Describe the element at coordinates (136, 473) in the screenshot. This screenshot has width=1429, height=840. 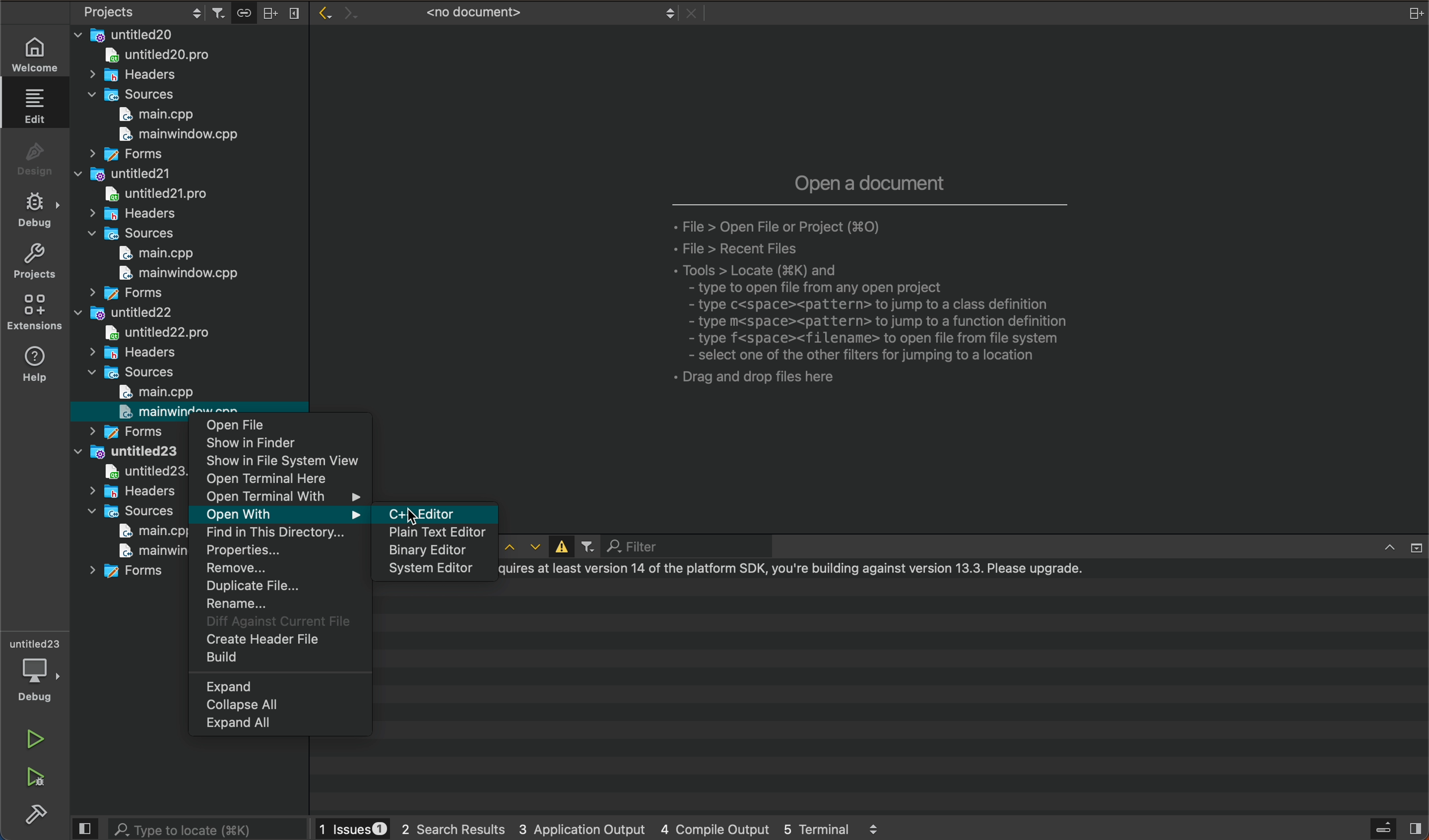
I see `untitled23 pro` at that location.